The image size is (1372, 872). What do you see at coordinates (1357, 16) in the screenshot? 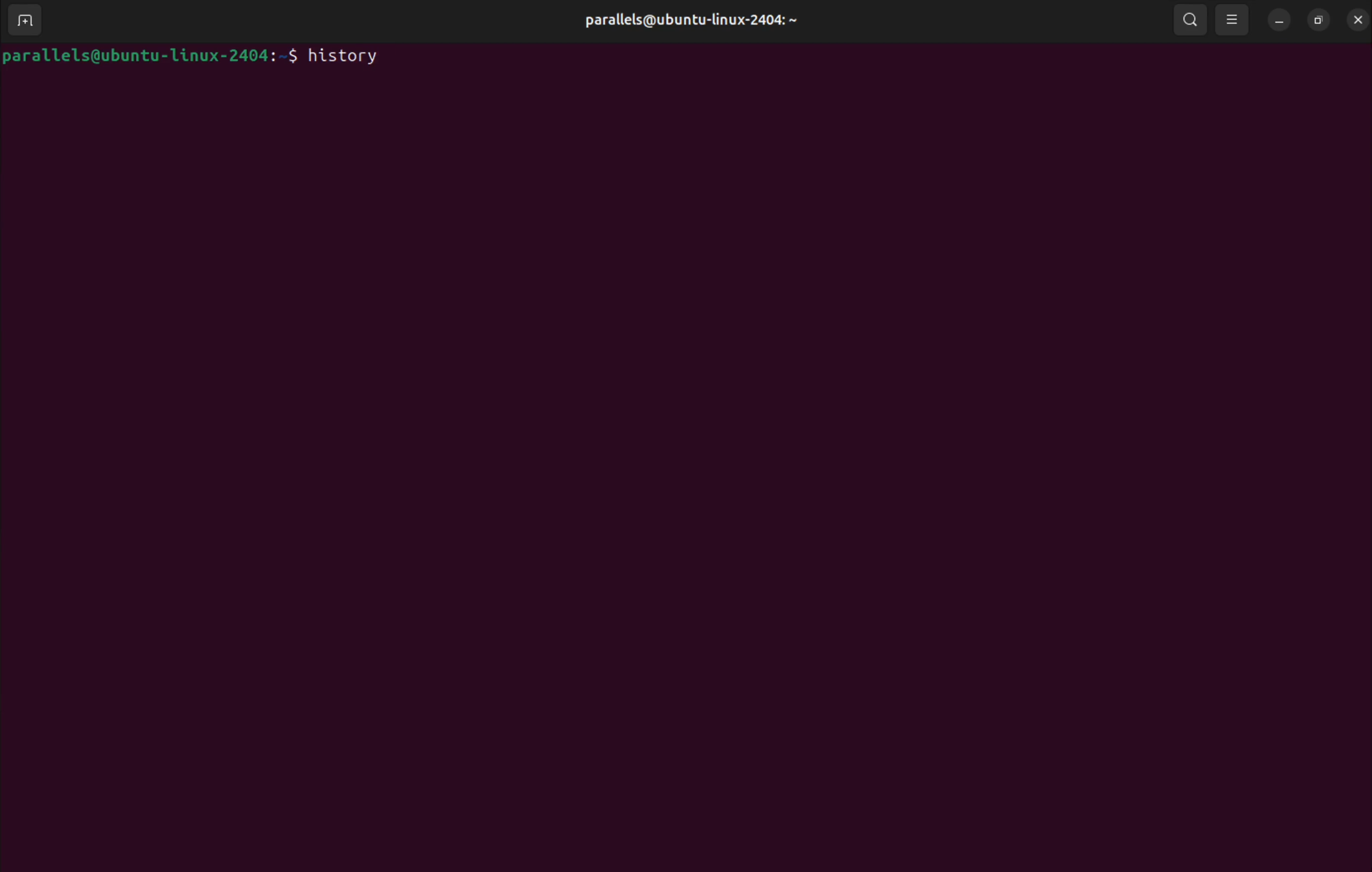
I see `close` at bounding box center [1357, 16].